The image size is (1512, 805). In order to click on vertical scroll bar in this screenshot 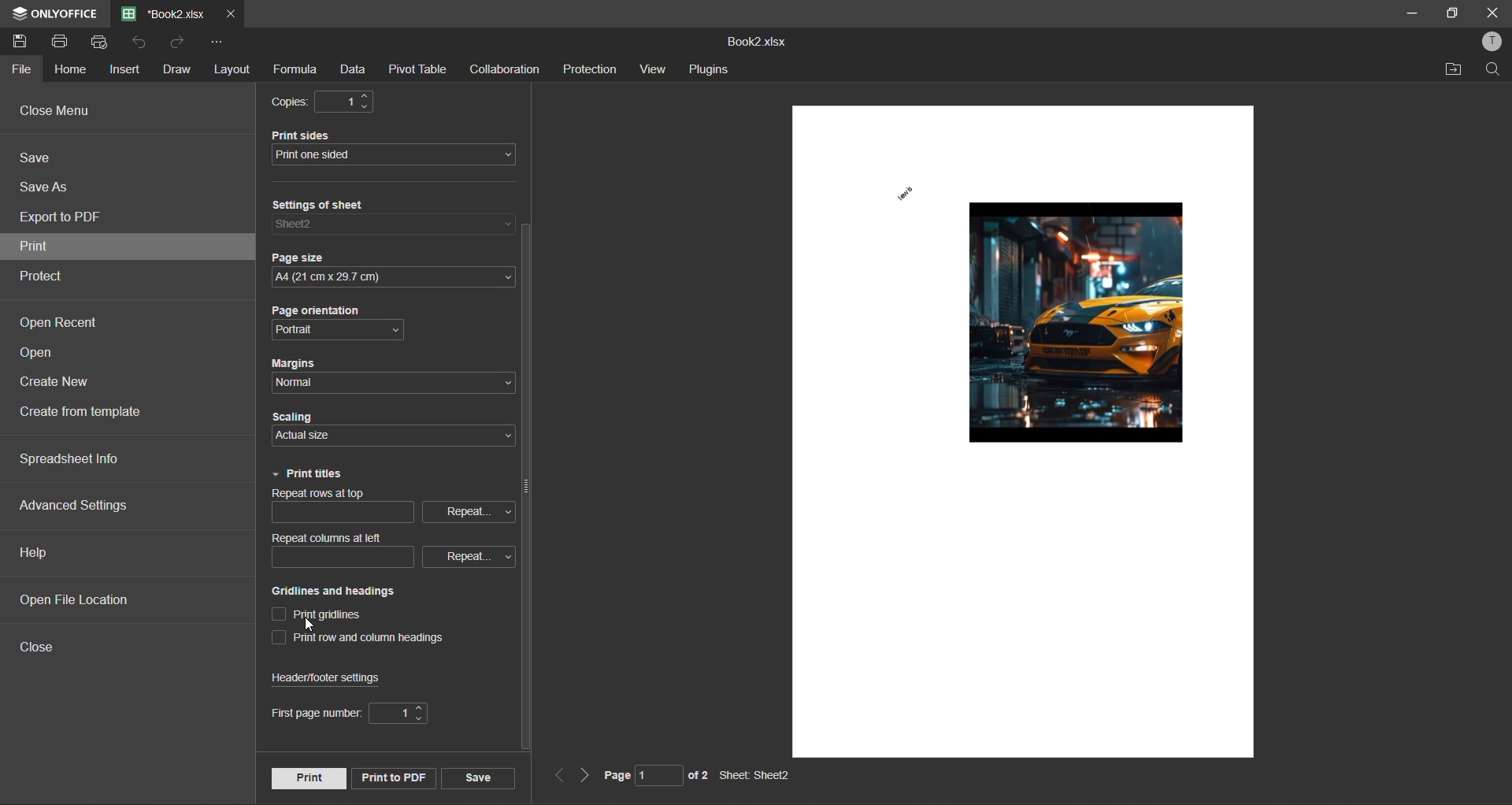, I will do `click(526, 487)`.